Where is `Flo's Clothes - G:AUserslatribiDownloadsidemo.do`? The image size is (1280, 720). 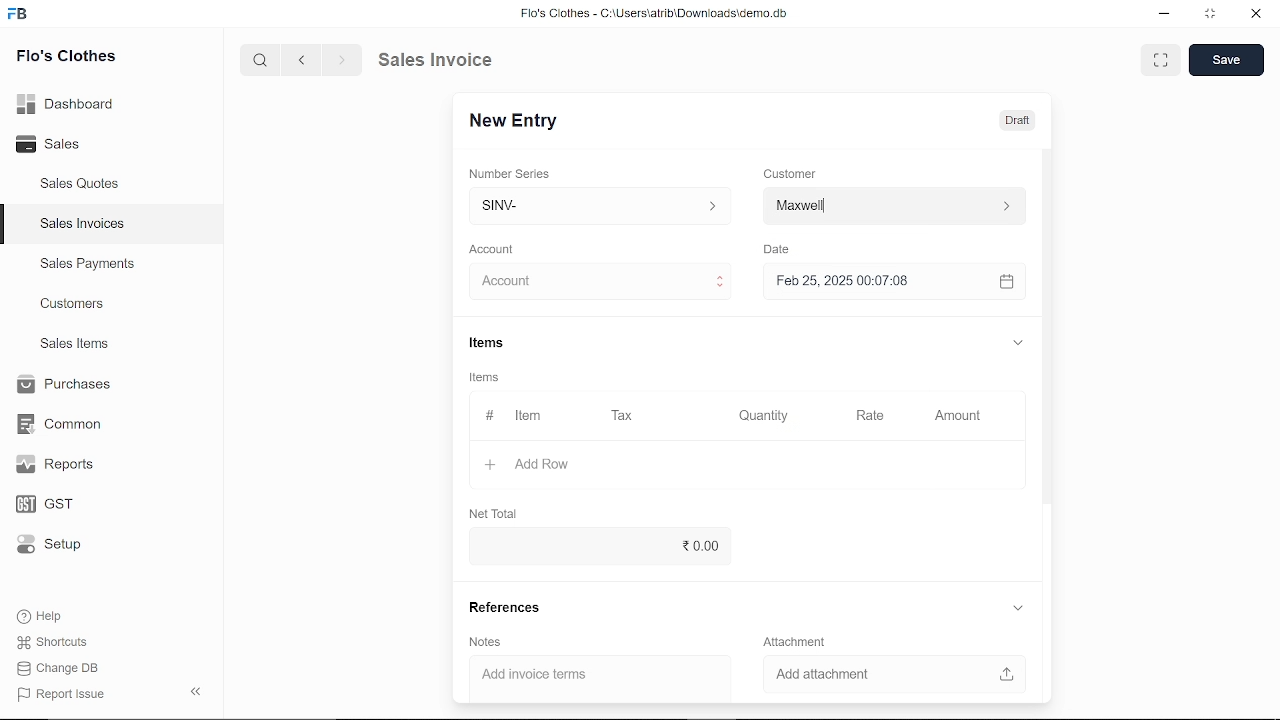 Flo's Clothes - G:AUserslatribiDownloadsidemo.do is located at coordinates (651, 13).